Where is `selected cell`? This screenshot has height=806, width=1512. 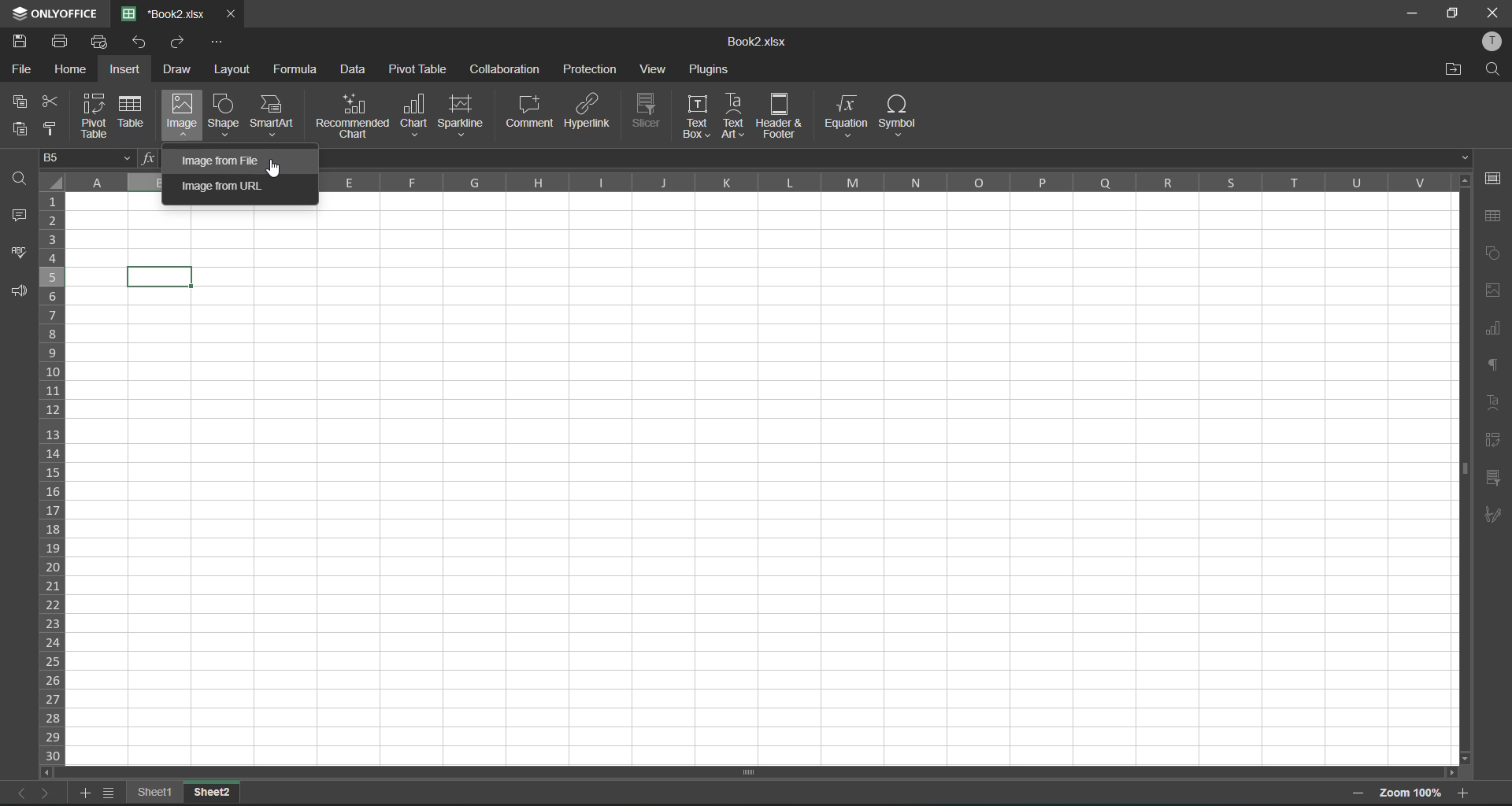
selected cell is located at coordinates (163, 275).